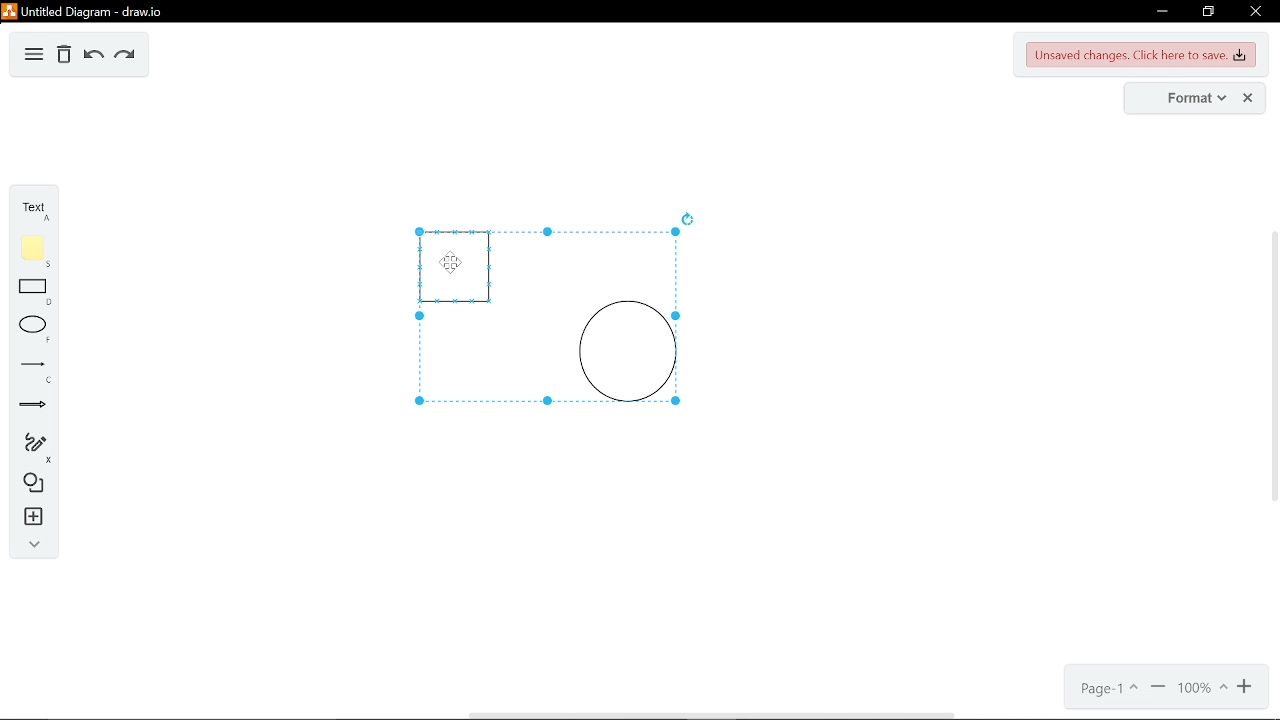 This screenshot has height=720, width=1280. What do you see at coordinates (64, 56) in the screenshot?
I see `delete` at bounding box center [64, 56].